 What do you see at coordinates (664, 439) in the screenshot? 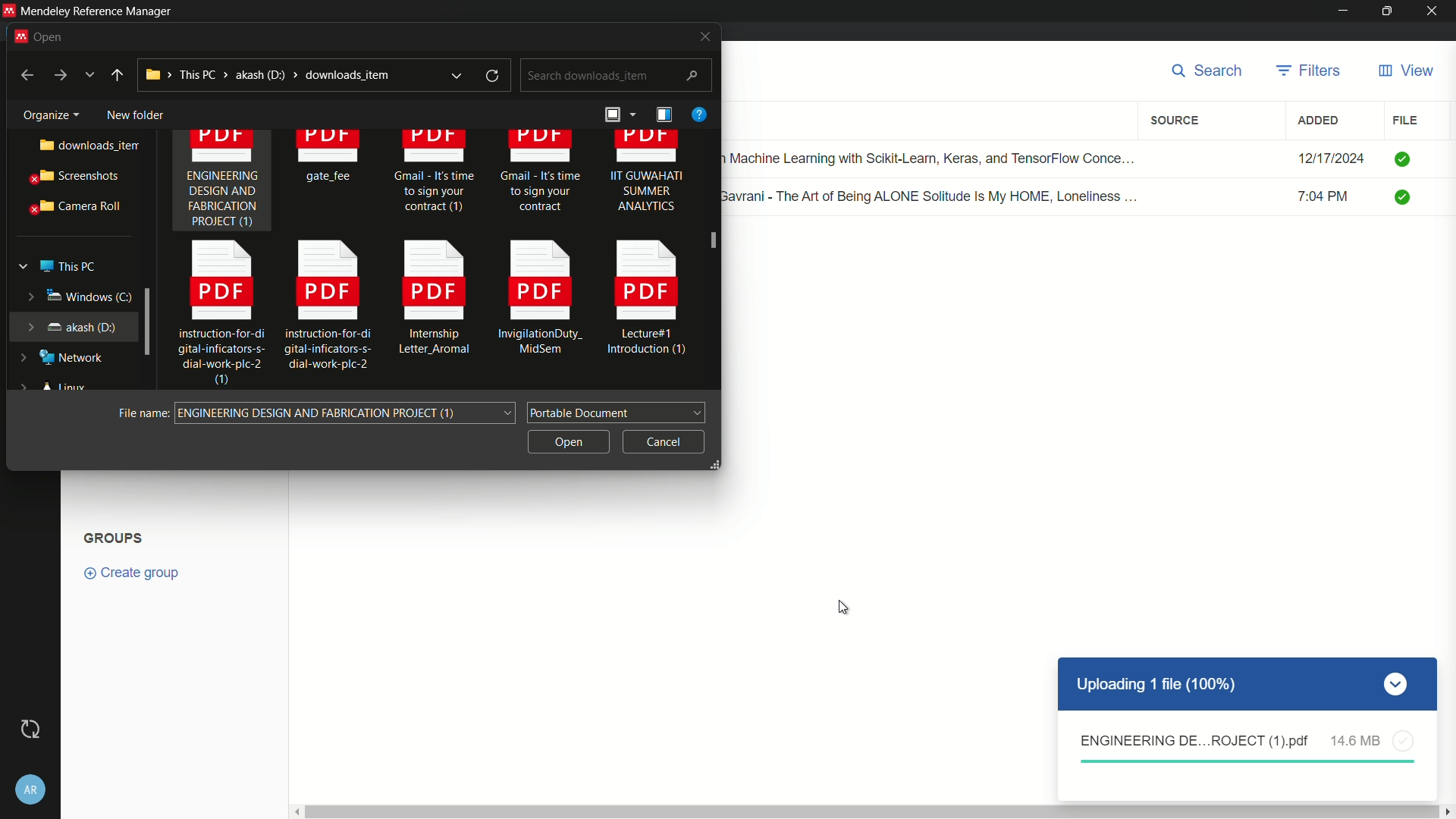
I see `cancel` at bounding box center [664, 439].